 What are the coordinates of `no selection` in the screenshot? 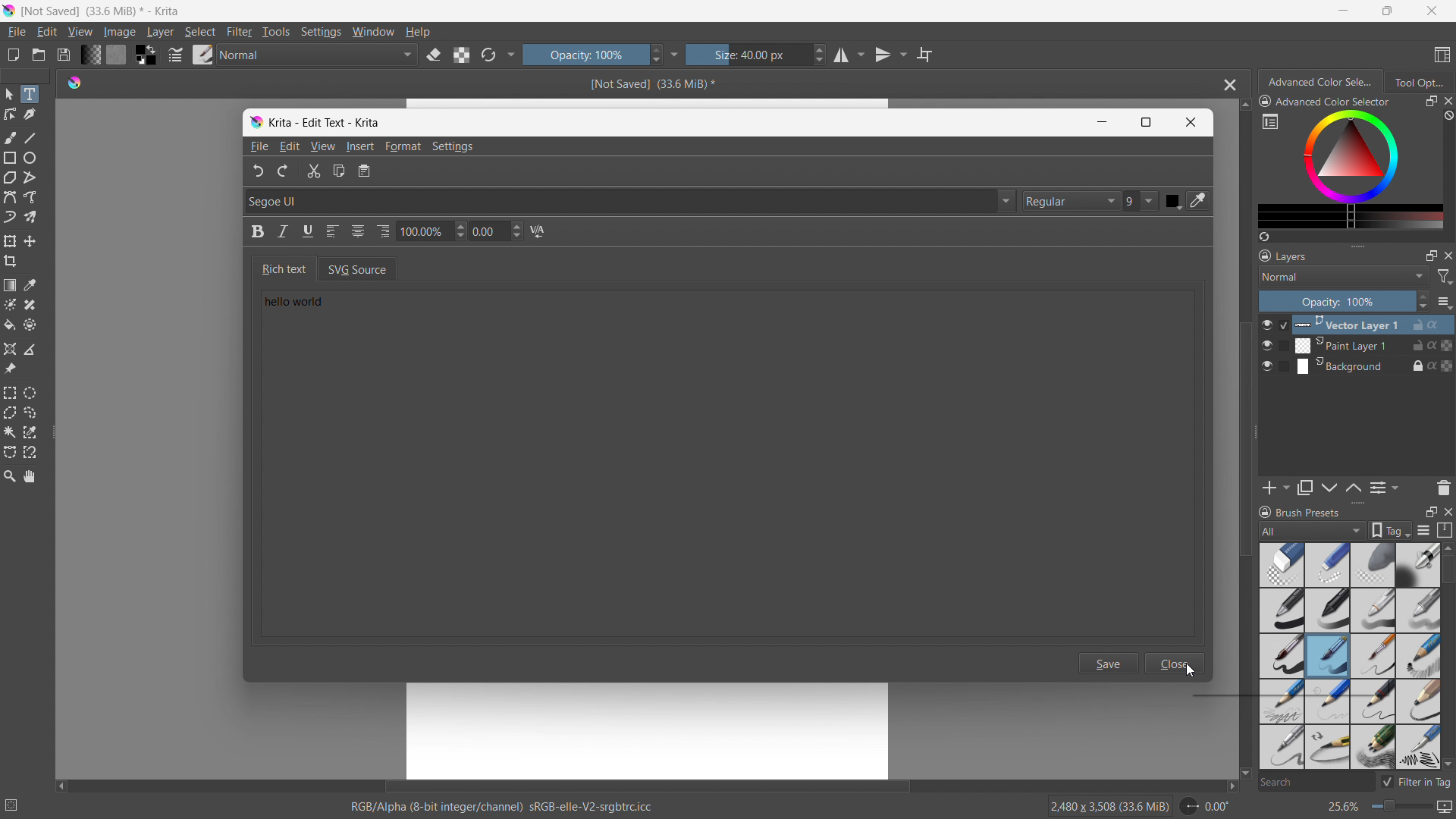 It's located at (18, 802).